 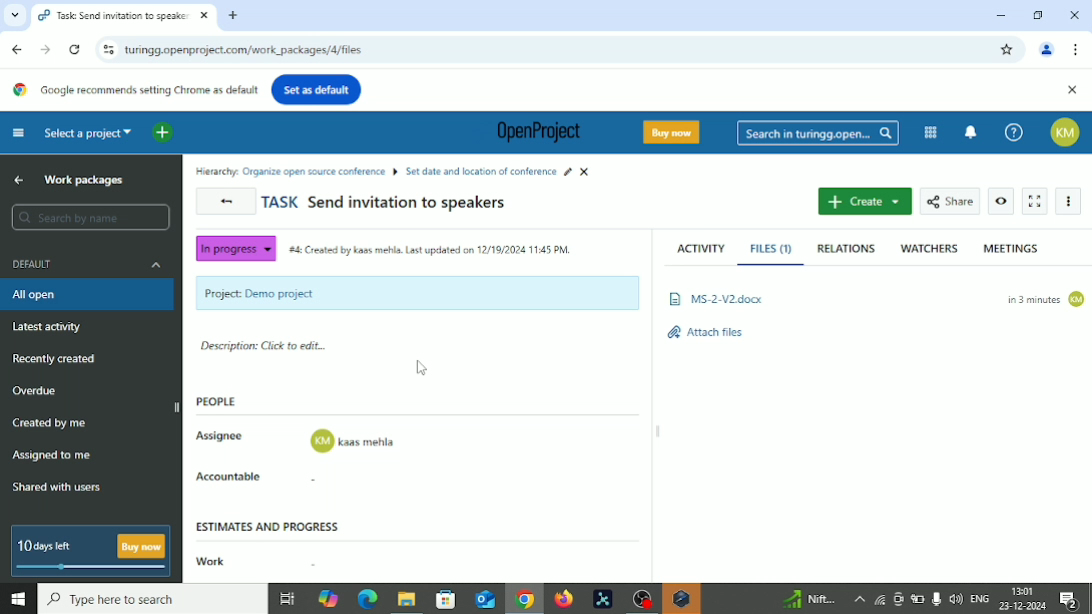 I want to click on People, so click(x=223, y=403).